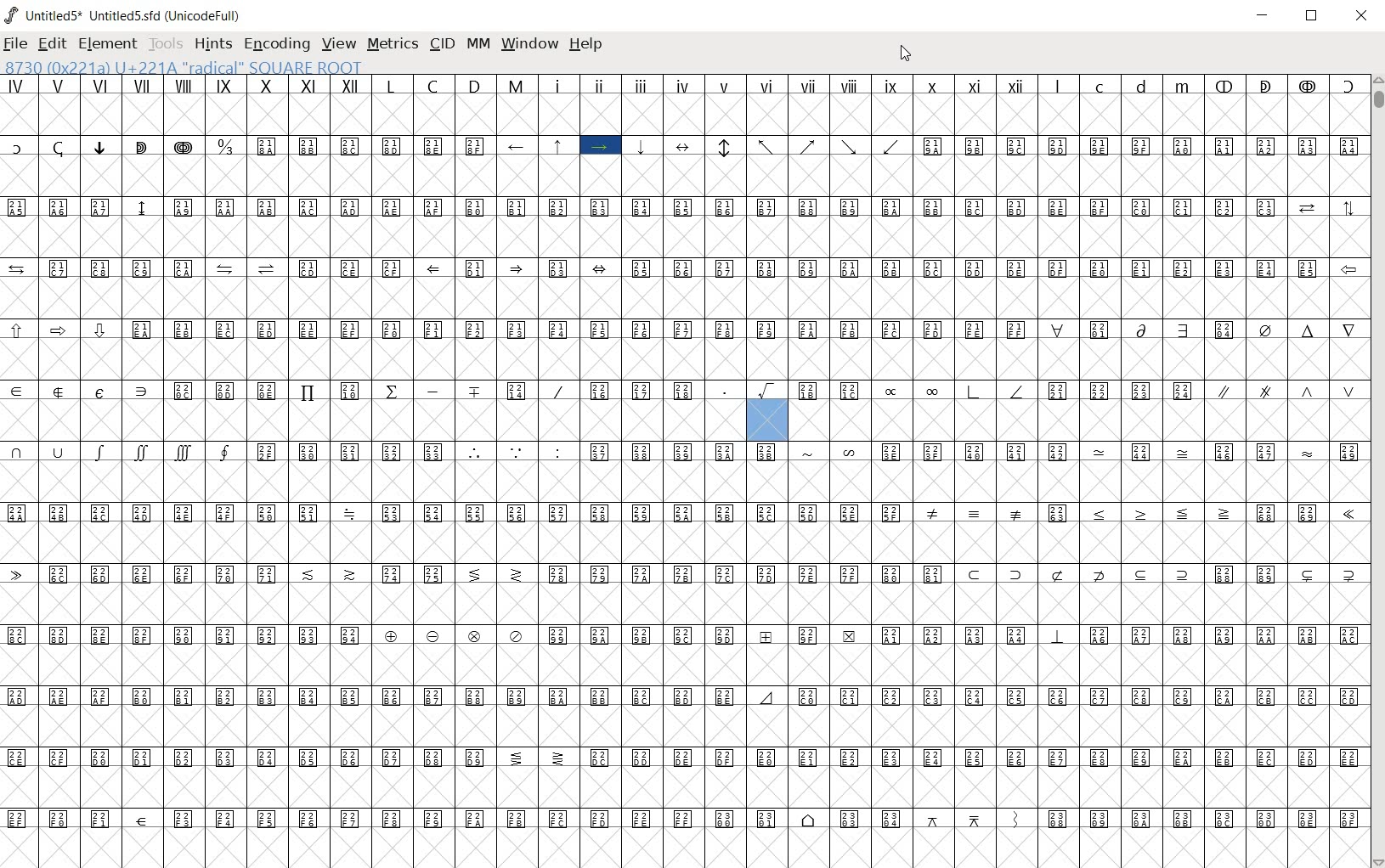 The width and height of the screenshot is (1385, 868). Describe the element at coordinates (477, 45) in the screenshot. I see `MM` at that location.